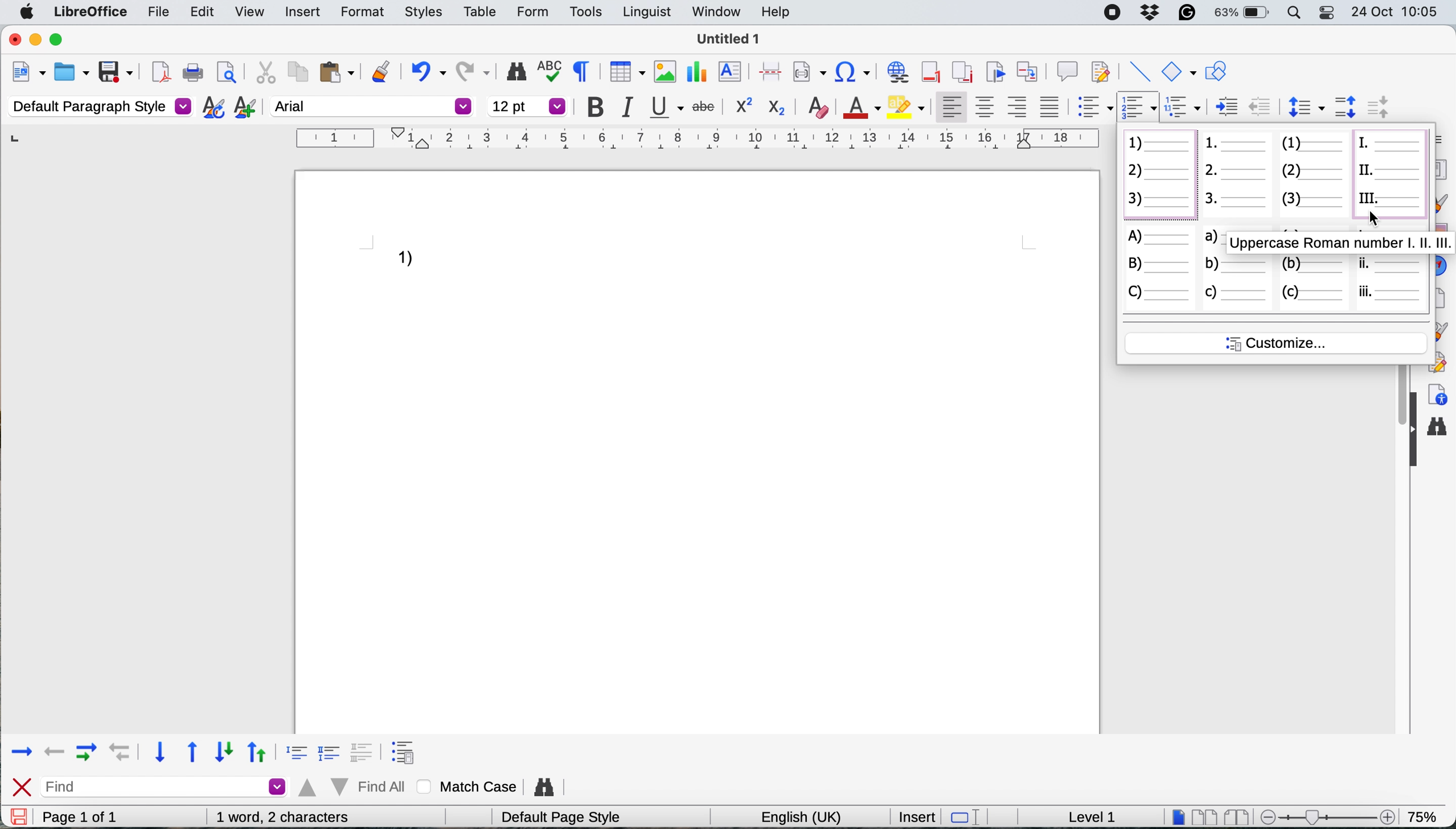 This screenshot has width=1456, height=829. I want to click on english(uk), so click(811, 816).